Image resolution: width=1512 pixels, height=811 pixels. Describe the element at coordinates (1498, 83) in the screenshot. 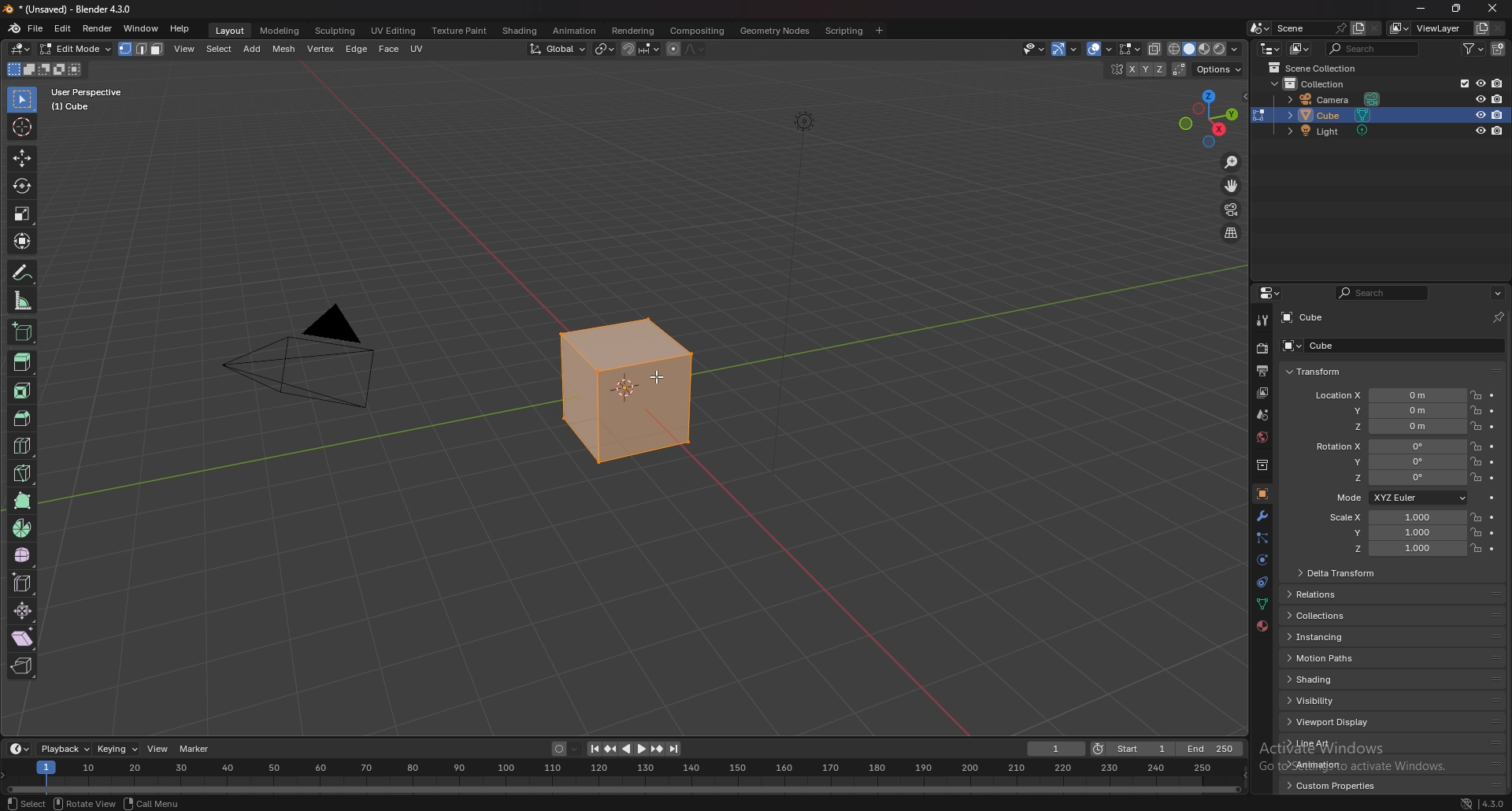

I see `disable in render` at that location.